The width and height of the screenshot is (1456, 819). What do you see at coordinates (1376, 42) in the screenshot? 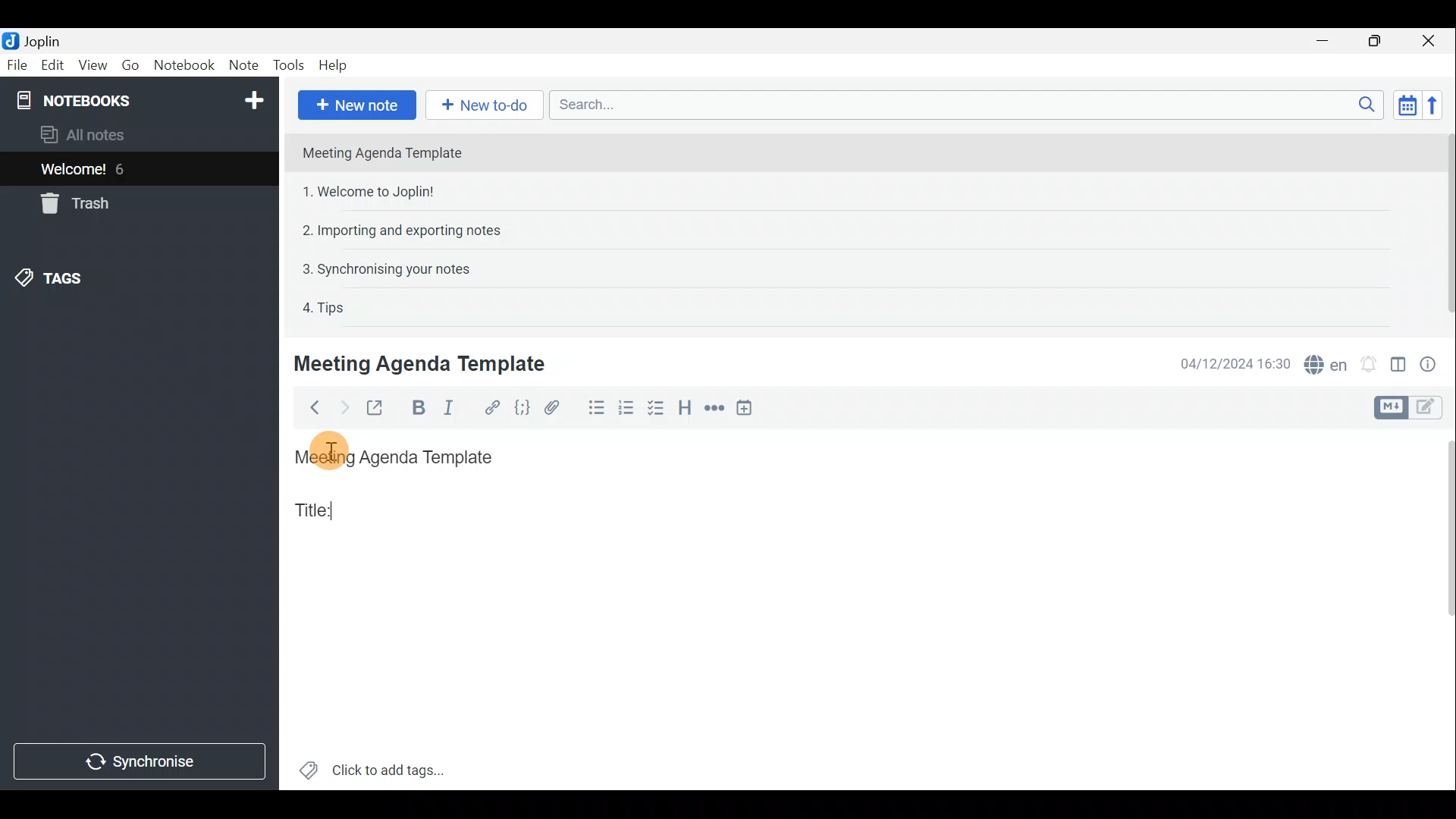
I see `Maximise` at bounding box center [1376, 42].